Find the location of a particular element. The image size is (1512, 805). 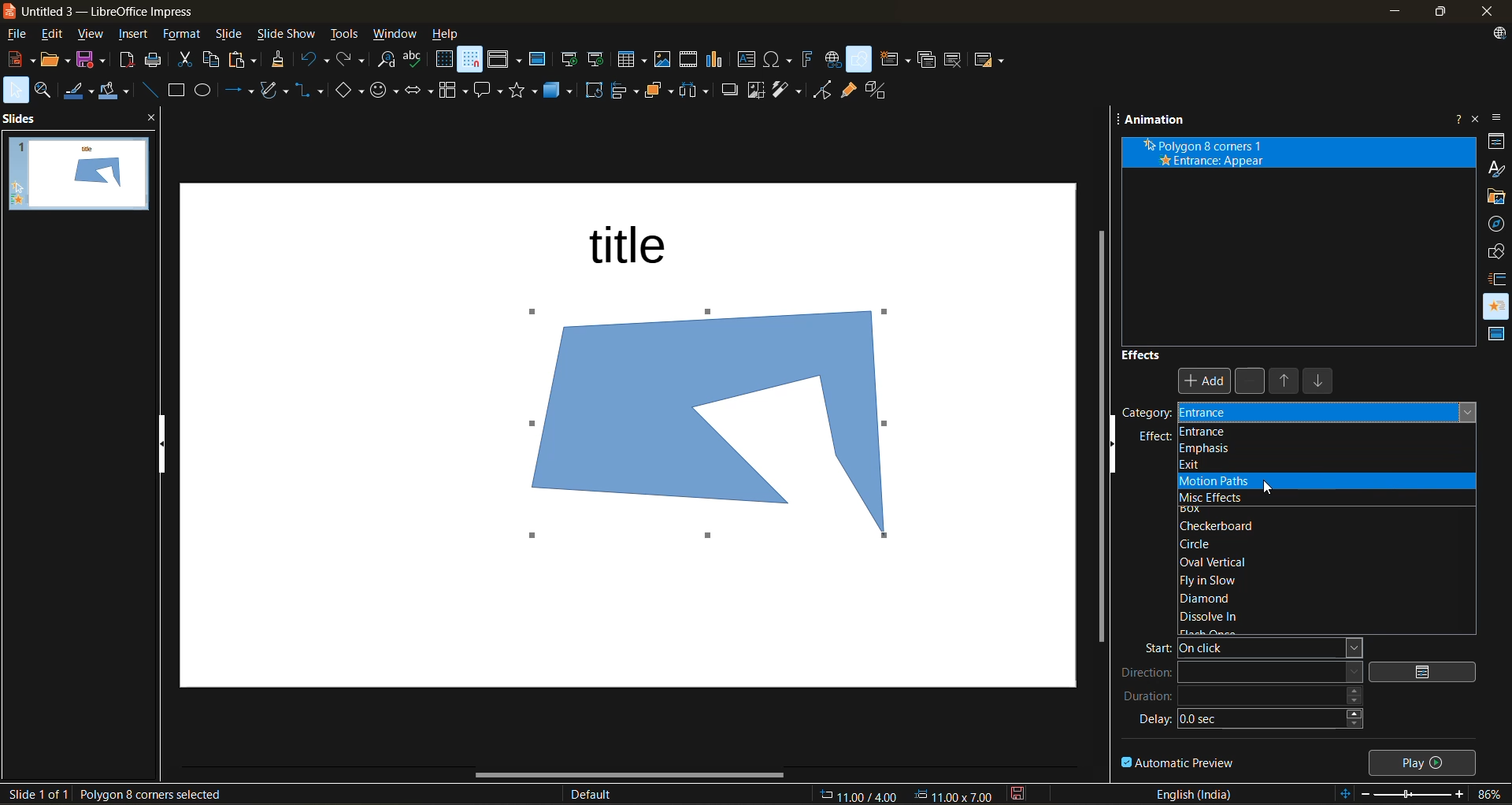

show gluepoint functions is located at coordinates (848, 91).